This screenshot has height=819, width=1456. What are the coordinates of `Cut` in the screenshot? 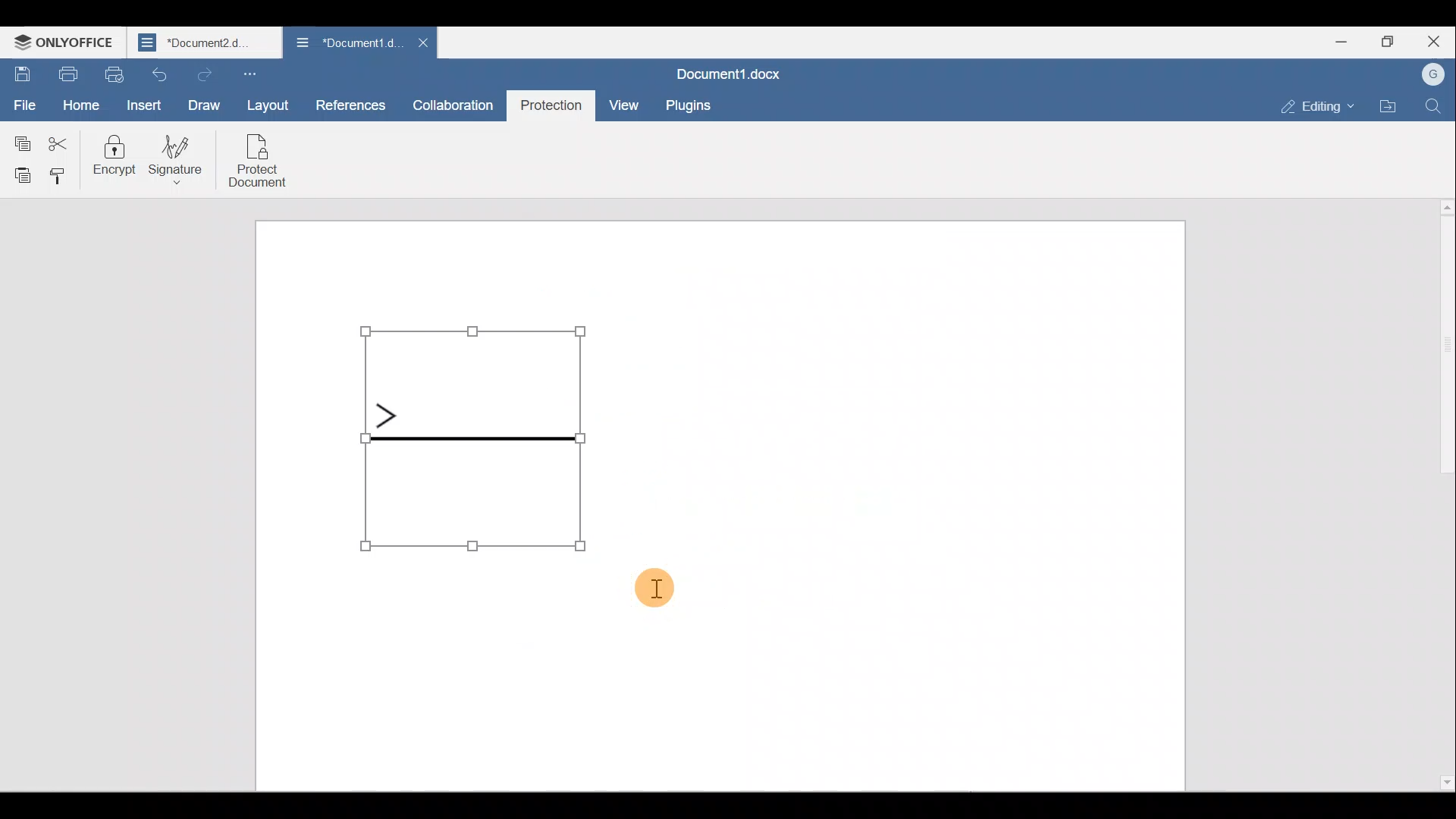 It's located at (60, 140).